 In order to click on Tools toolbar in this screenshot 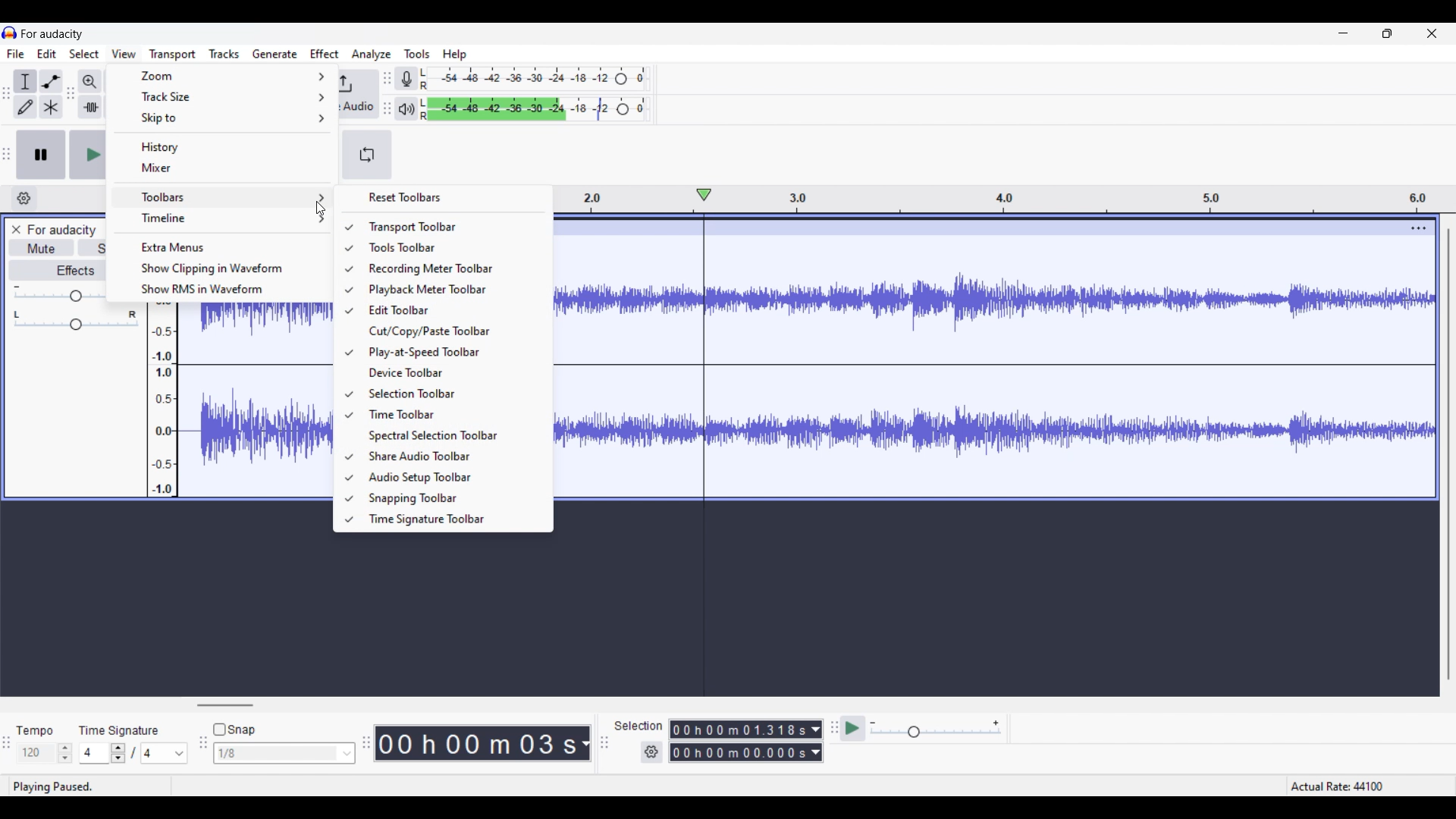, I will do `click(448, 247)`.